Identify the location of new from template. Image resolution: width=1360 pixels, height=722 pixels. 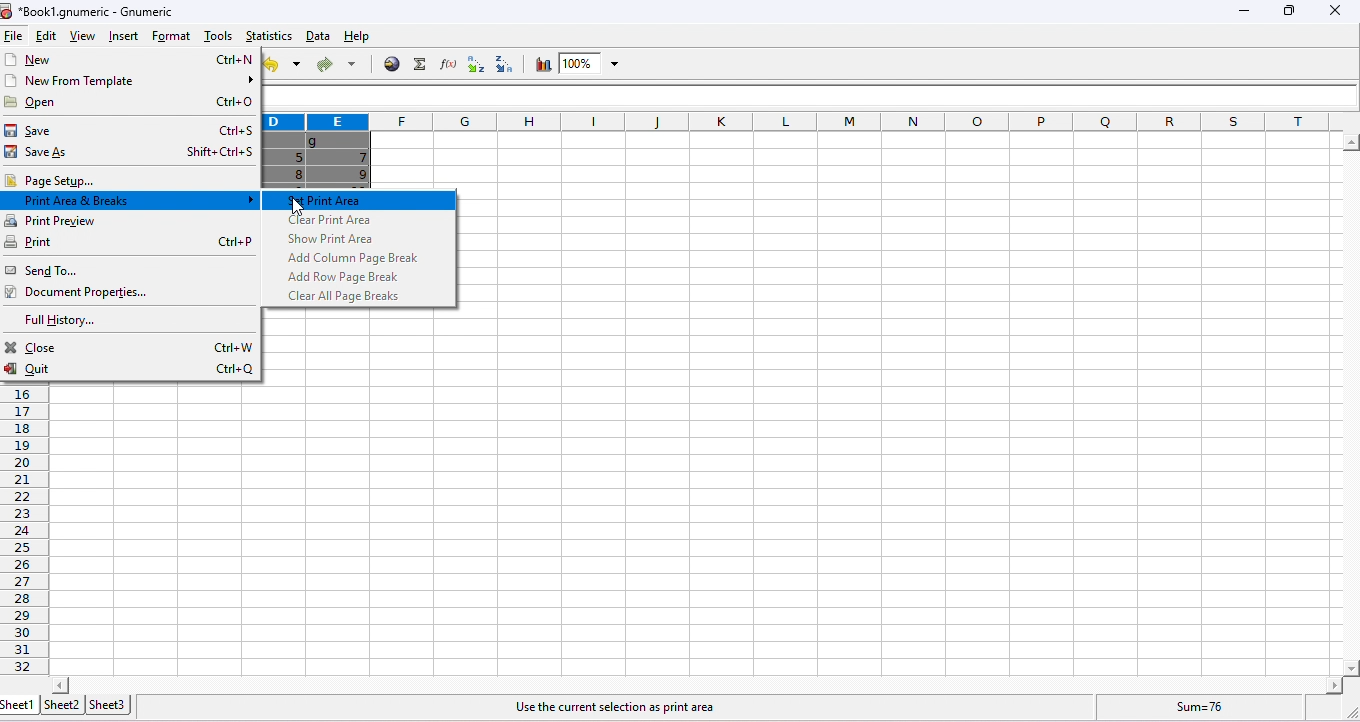
(130, 81).